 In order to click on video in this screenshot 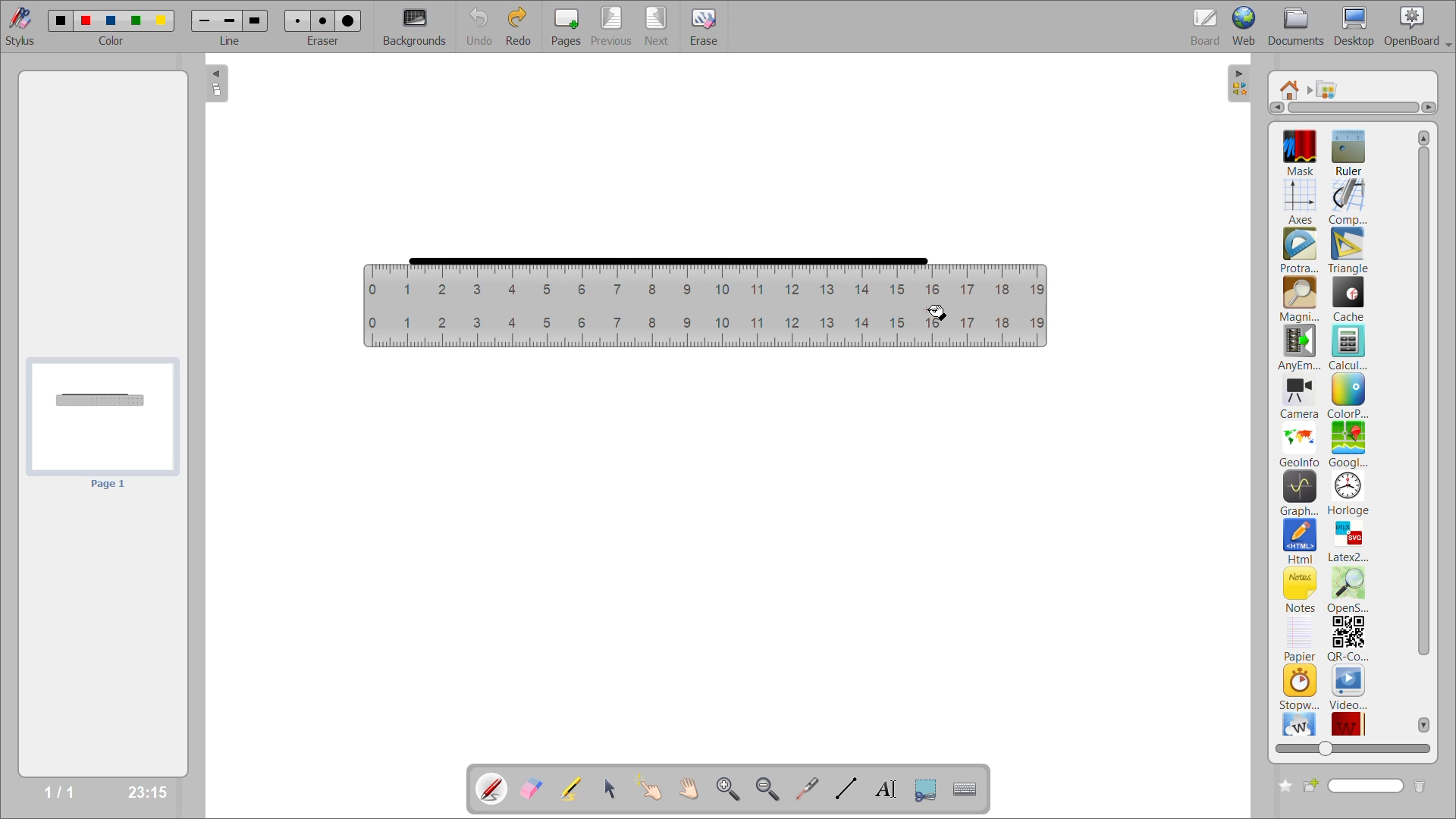, I will do `click(1349, 686)`.